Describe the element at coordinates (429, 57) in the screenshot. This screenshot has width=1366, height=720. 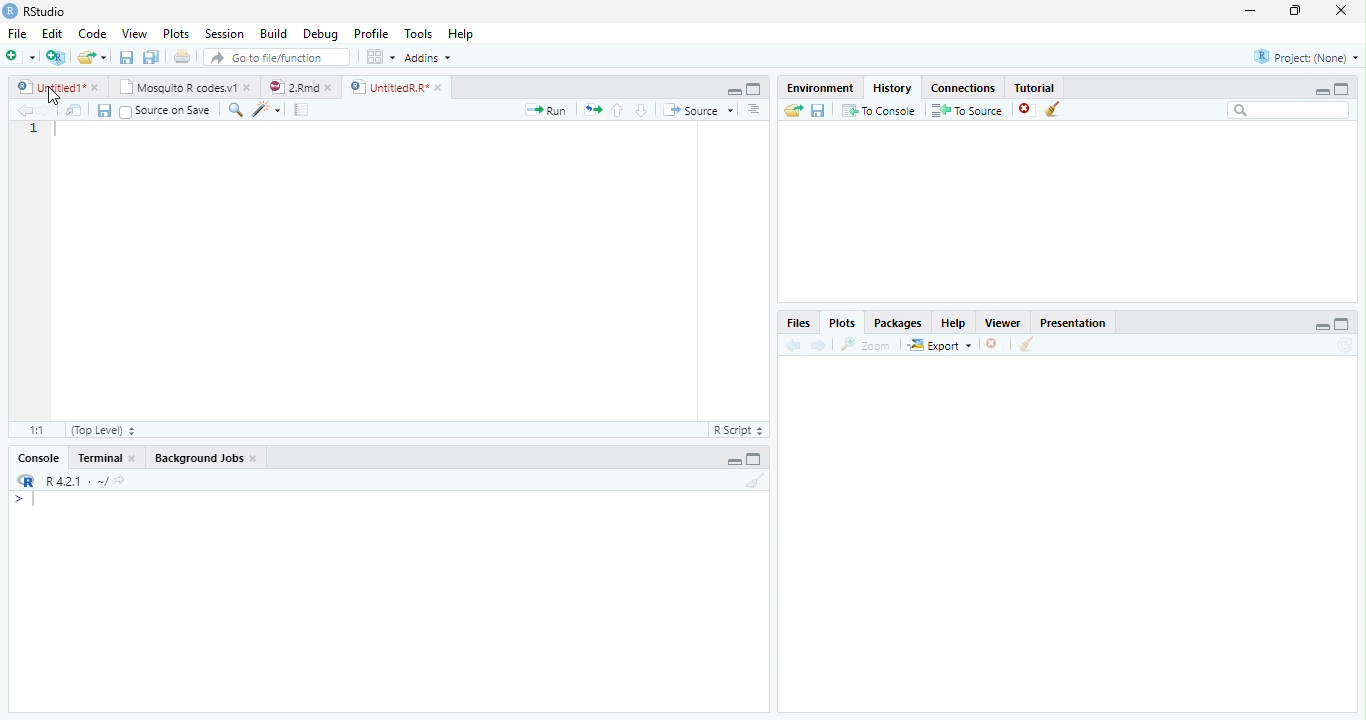
I see `Addins` at that location.